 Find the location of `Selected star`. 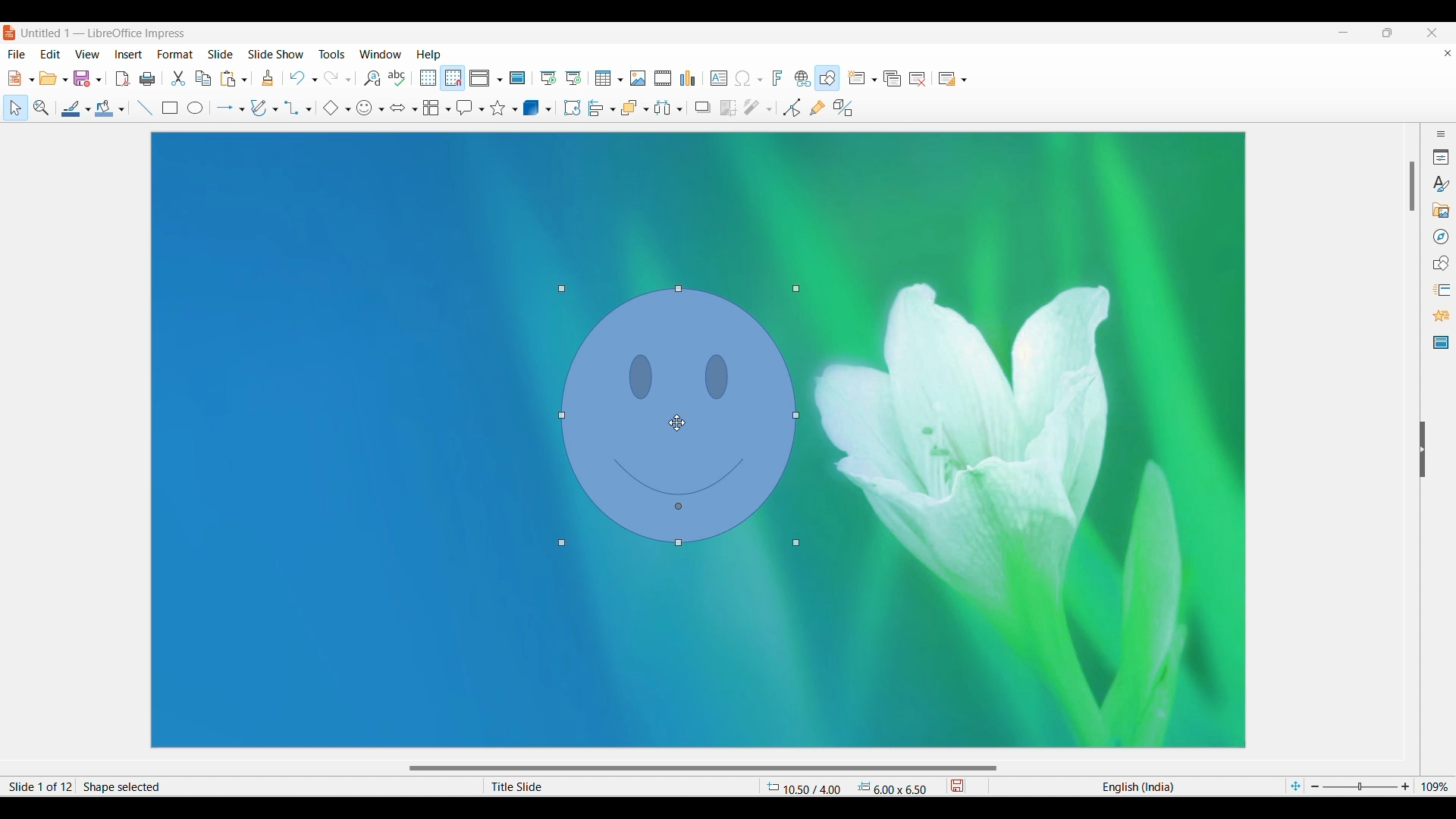

Selected star is located at coordinates (498, 108).